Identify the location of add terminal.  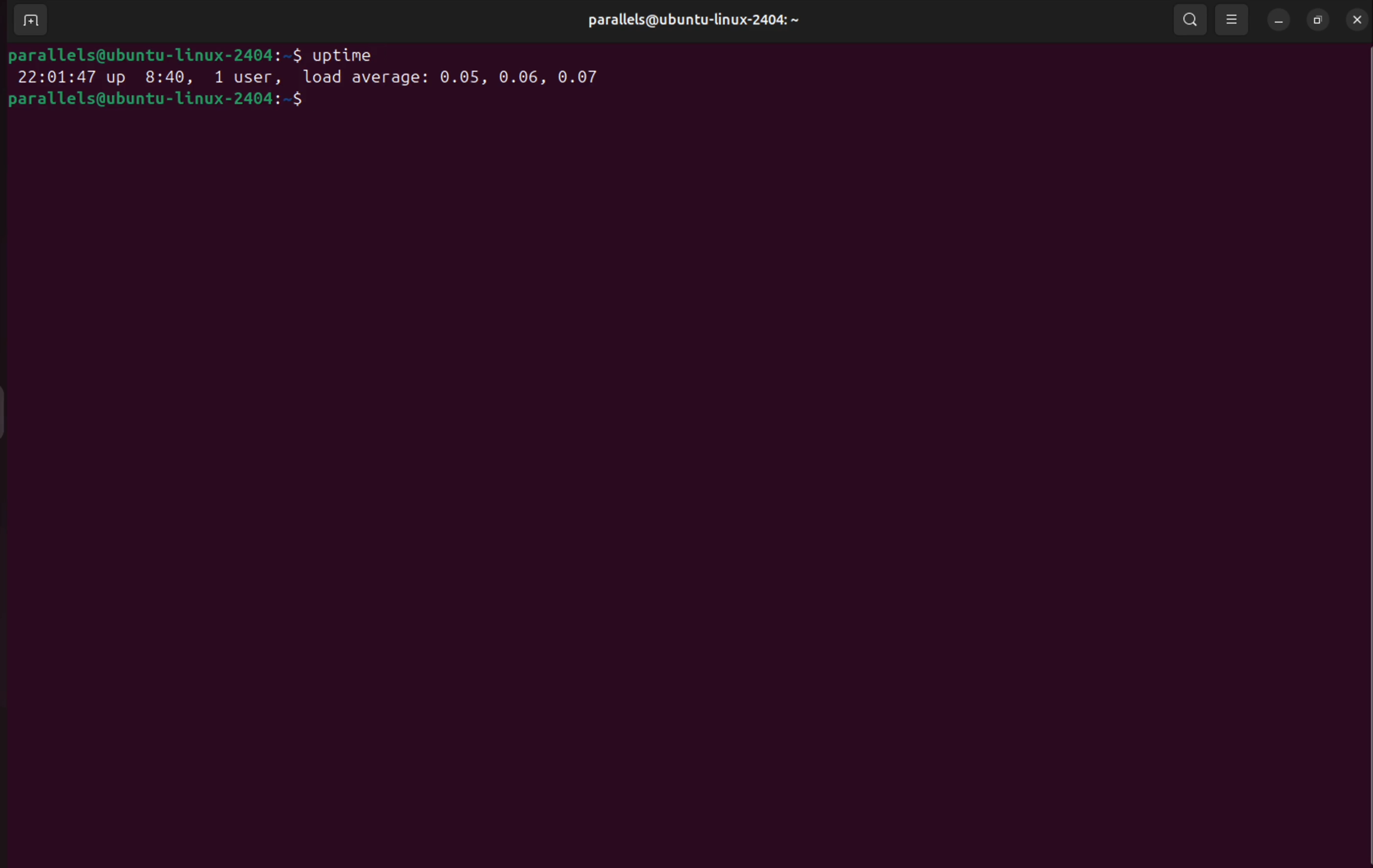
(26, 19).